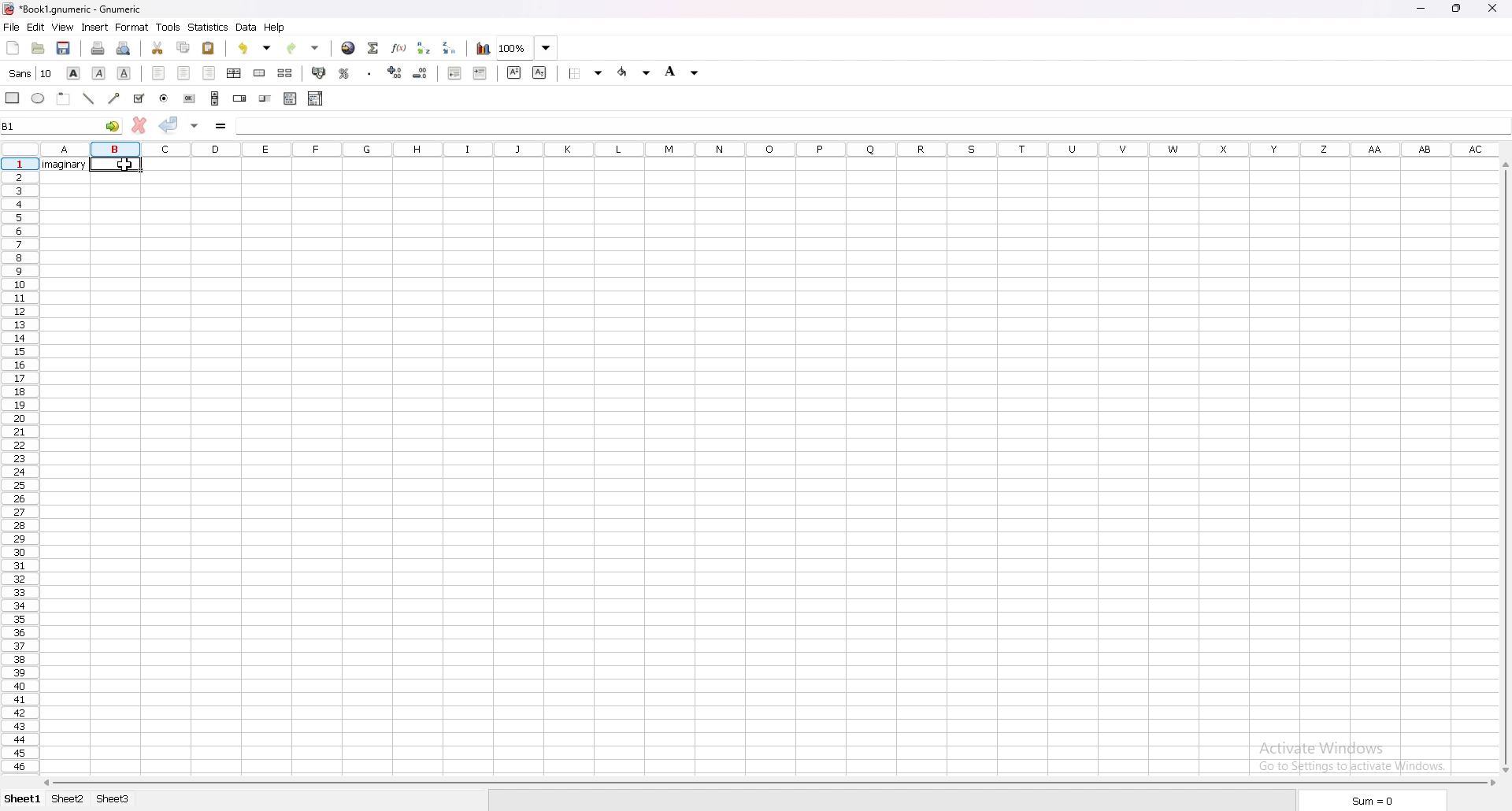 The height and width of the screenshot is (811, 1512). Describe the element at coordinates (1420, 8) in the screenshot. I see `minimize` at that location.